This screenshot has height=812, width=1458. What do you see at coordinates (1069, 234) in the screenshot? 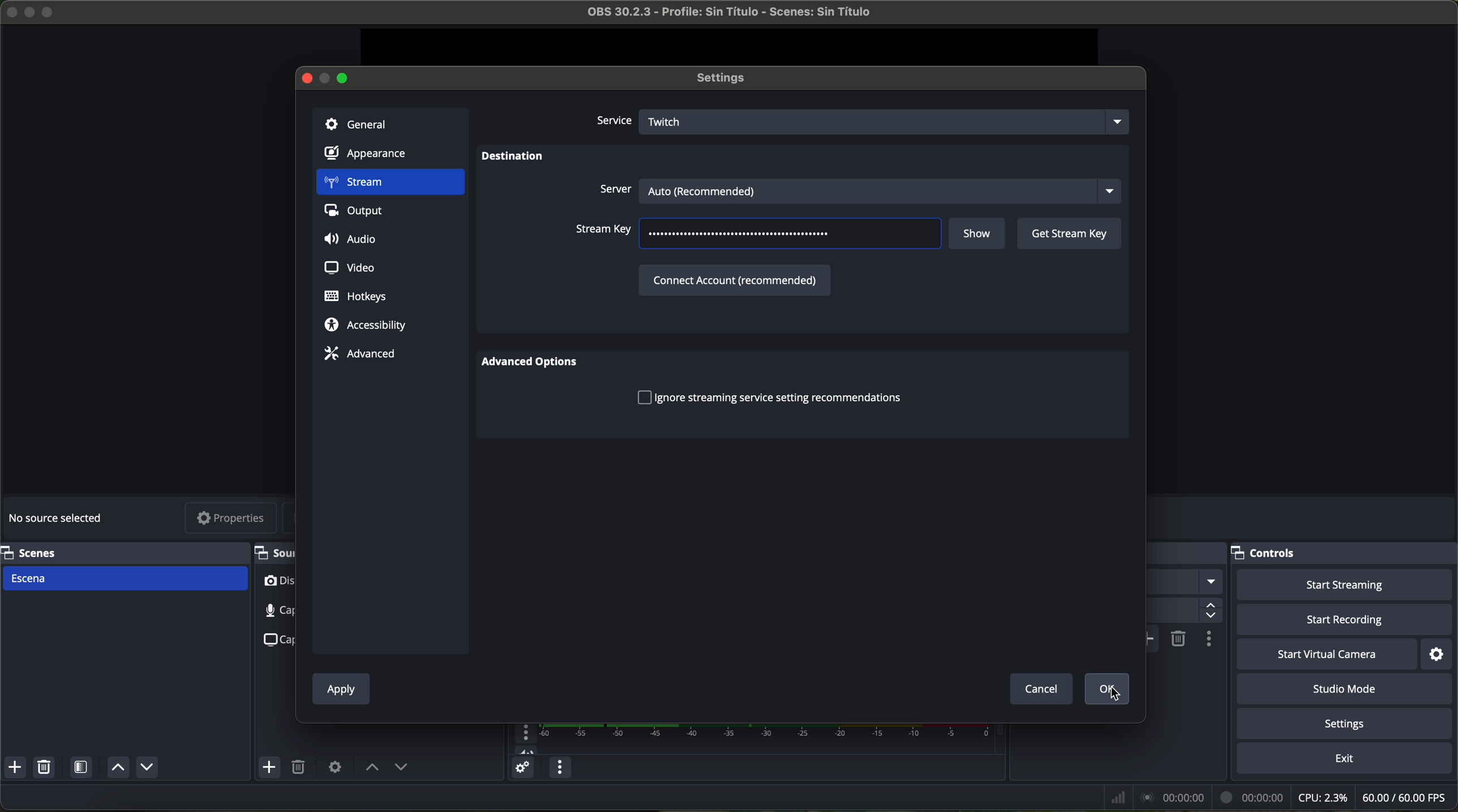
I see `click on get stream key` at bounding box center [1069, 234].